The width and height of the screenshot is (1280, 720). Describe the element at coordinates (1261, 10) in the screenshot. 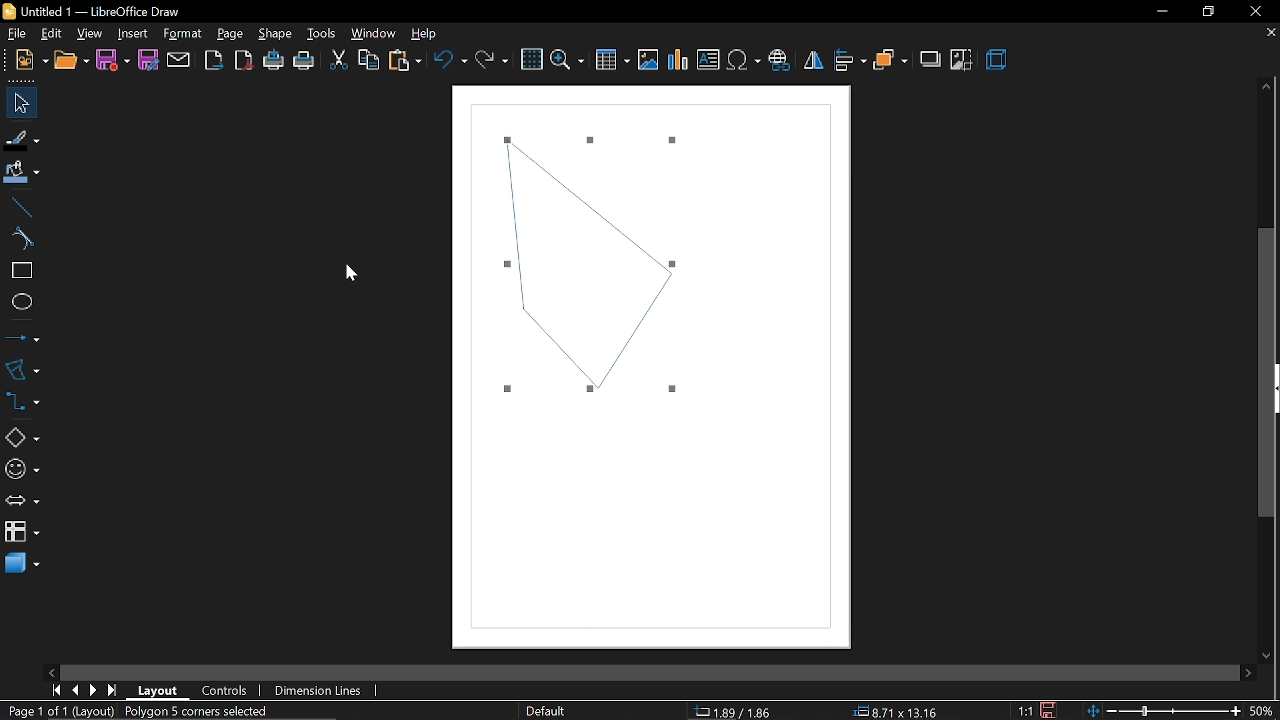

I see `close` at that location.